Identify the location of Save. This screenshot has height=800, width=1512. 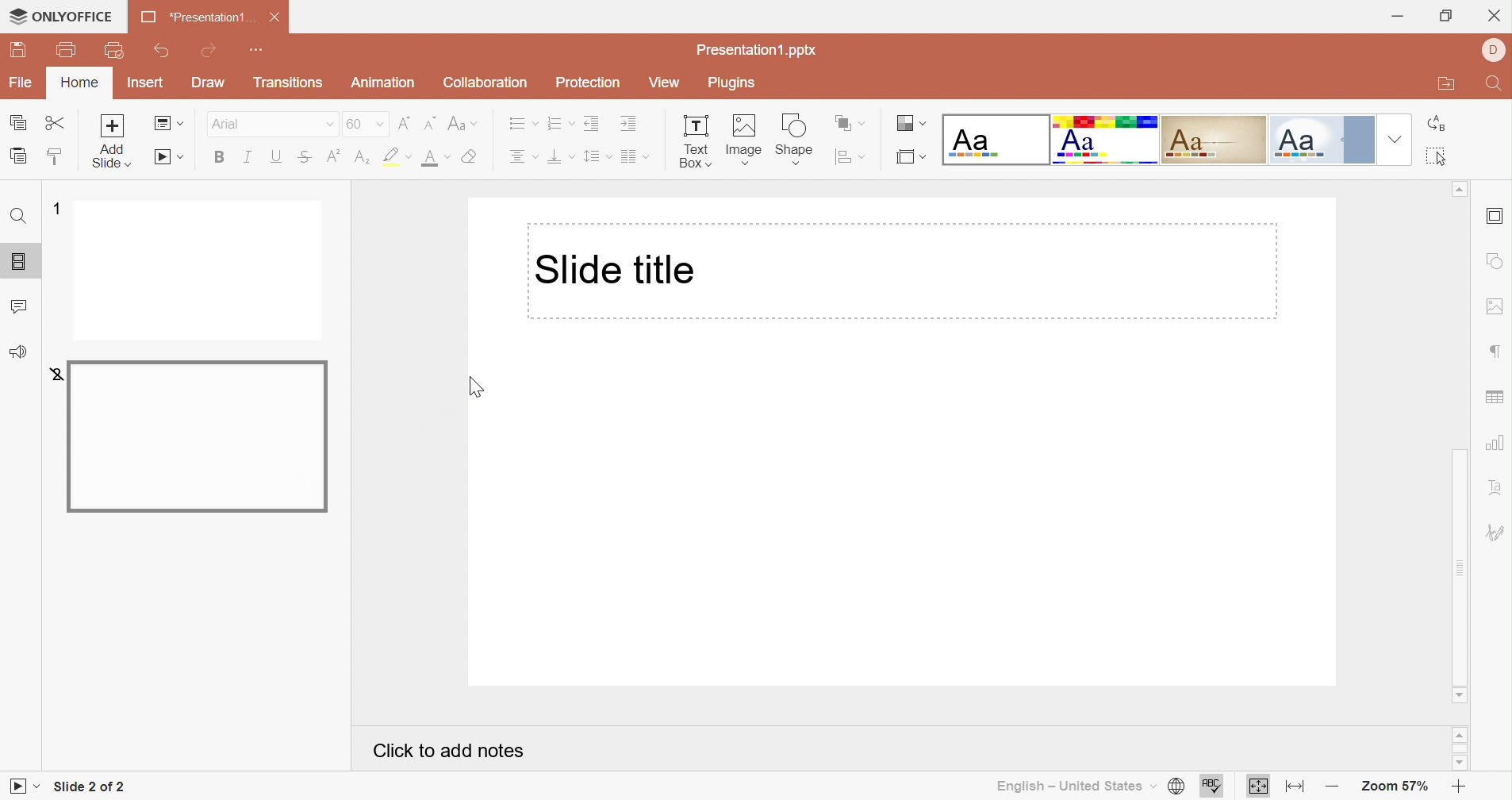
(22, 51).